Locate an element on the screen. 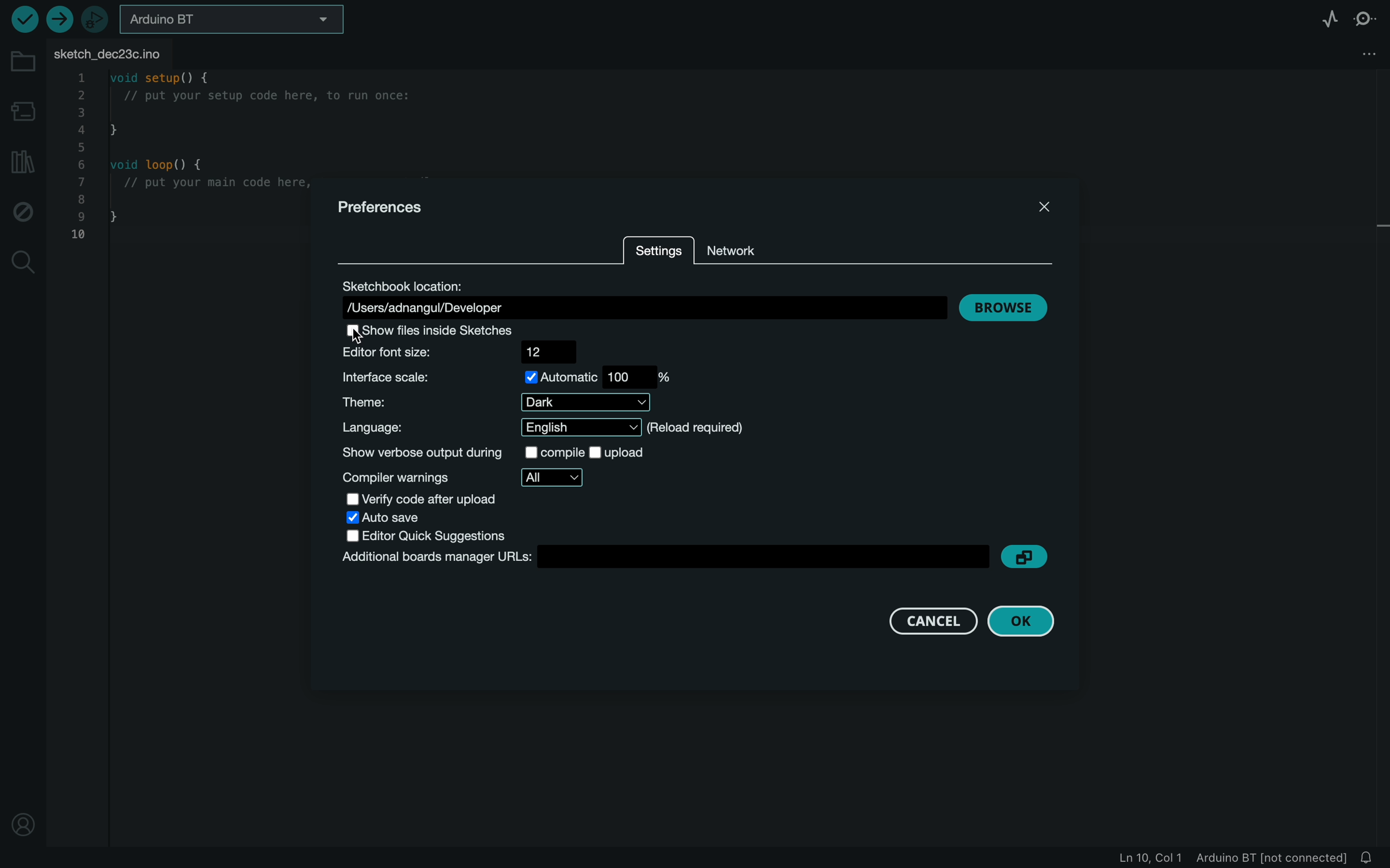 The image size is (1390, 868). setting is located at coordinates (659, 252).